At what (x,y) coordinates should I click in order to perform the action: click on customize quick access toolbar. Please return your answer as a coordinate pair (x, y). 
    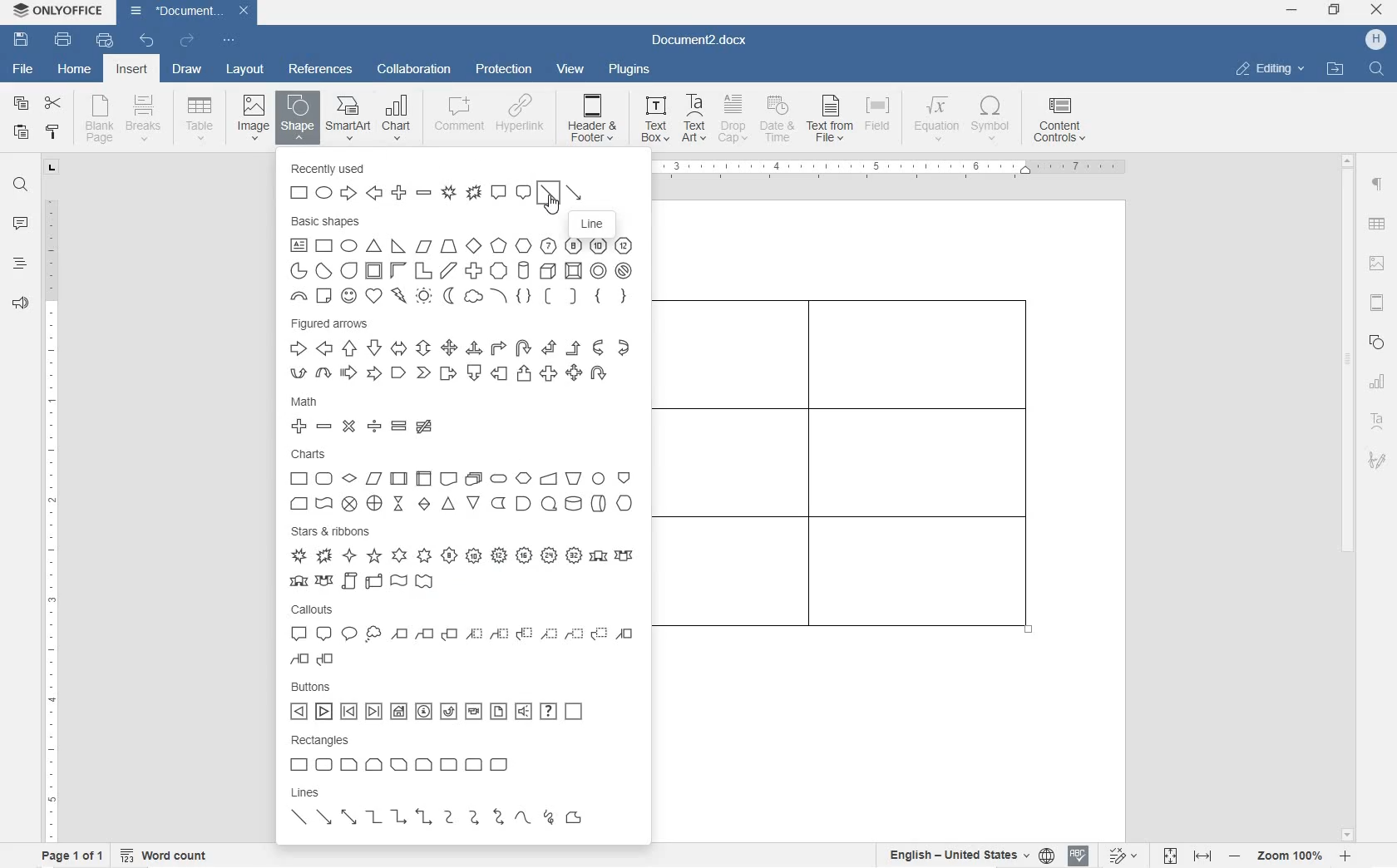
    Looking at the image, I should click on (228, 40).